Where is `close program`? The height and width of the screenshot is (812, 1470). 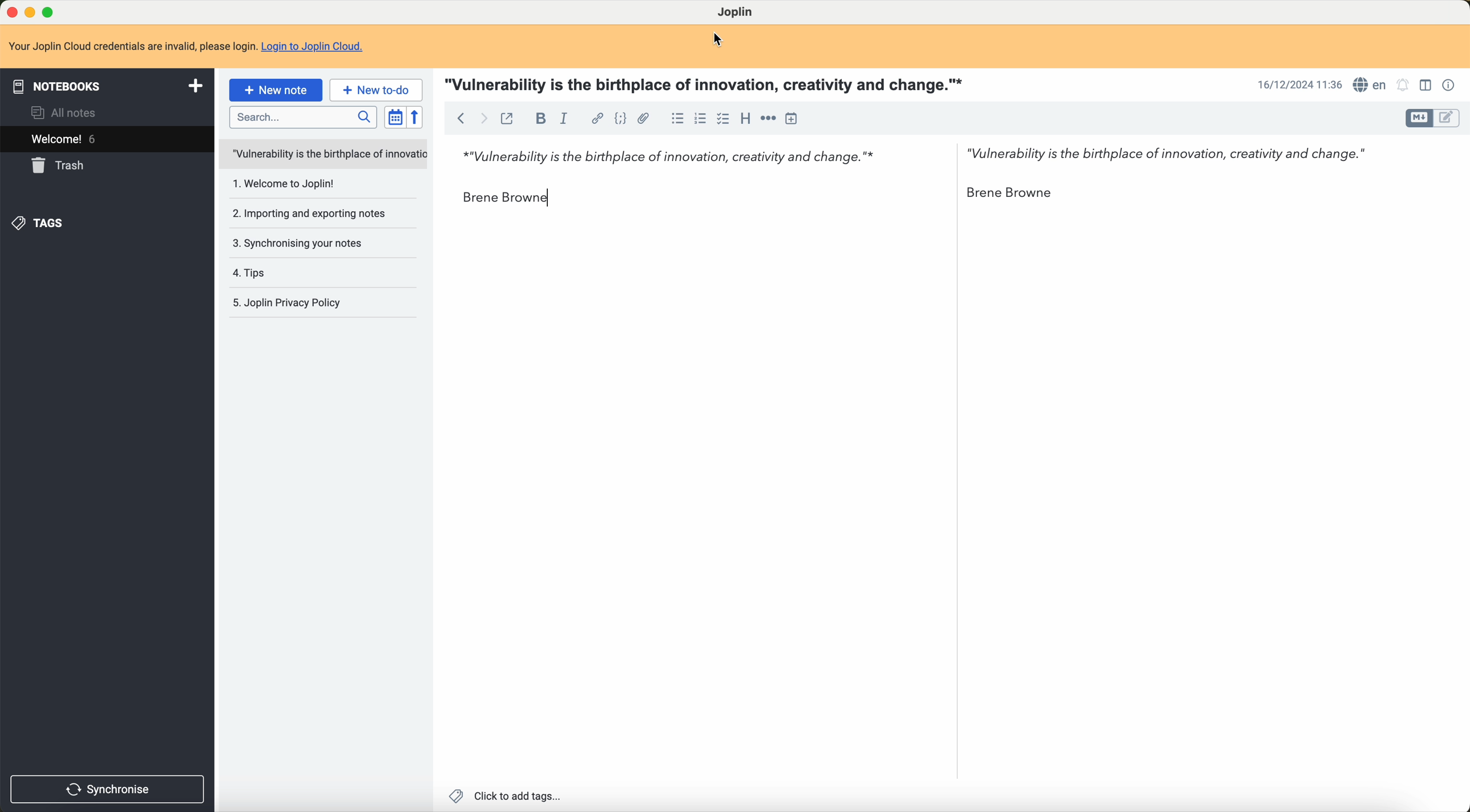
close program is located at coordinates (10, 10).